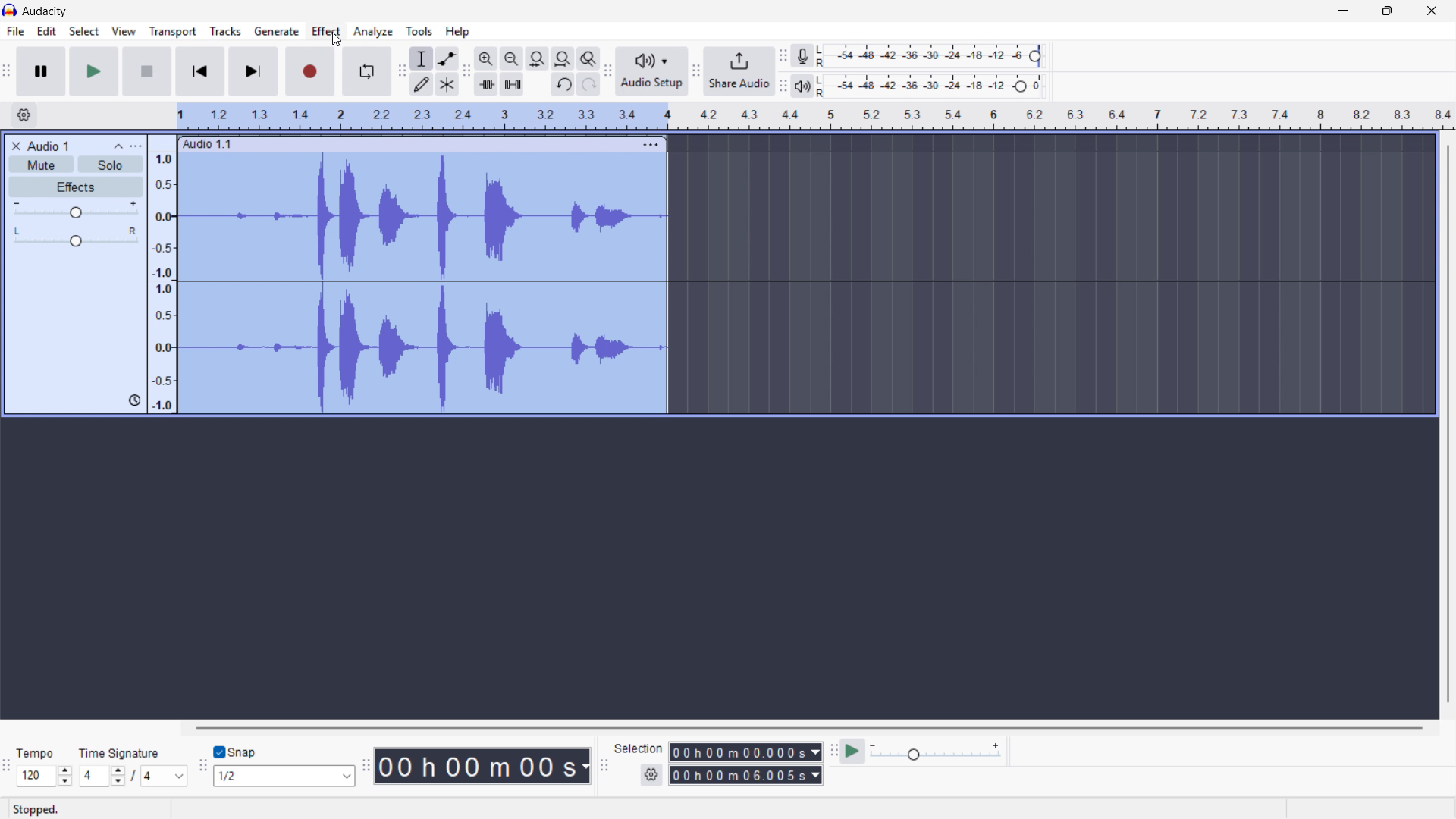  What do you see at coordinates (43, 767) in the screenshot?
I see `Set tempo` at bounding box center [43, 767].